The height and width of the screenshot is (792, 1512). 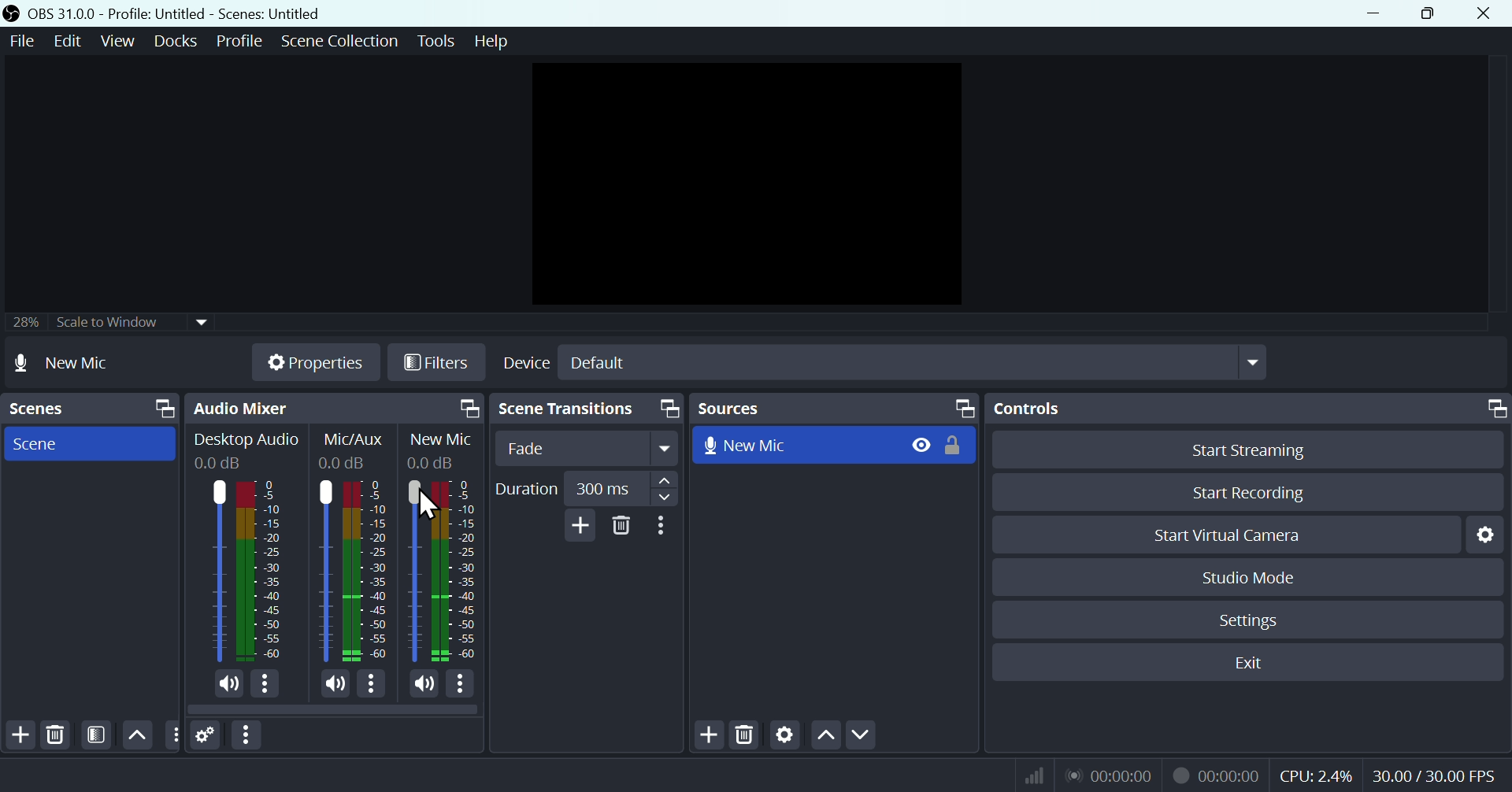 What do you see at coordinates (1251, 492) in the screenshot?
I see `Start recording` at bounding box center [1251, 492].